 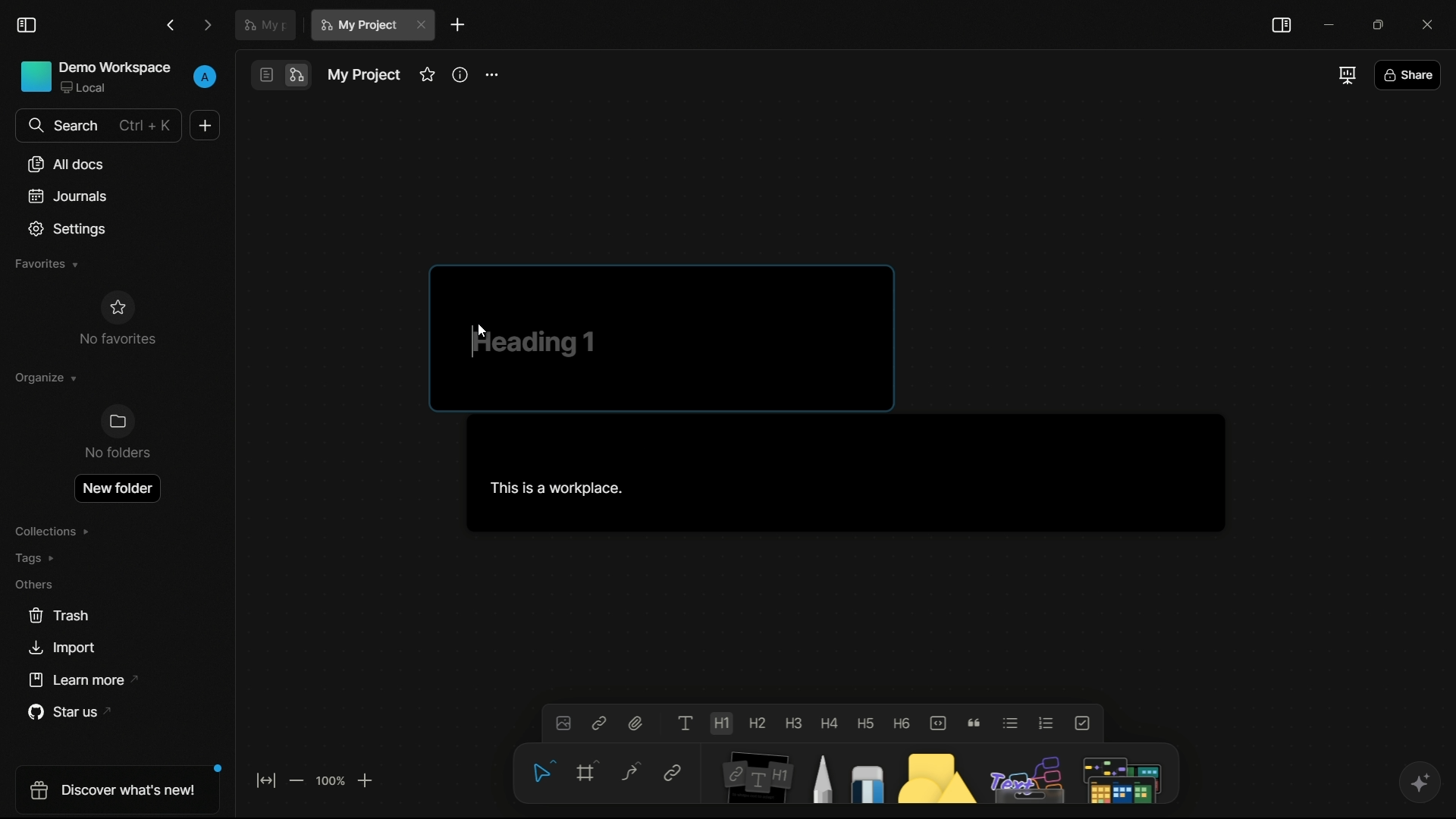 What do you see at coordinates (1049, 720) in the screenshot?
I see `numbered list` at bounding box center [1049, 720].